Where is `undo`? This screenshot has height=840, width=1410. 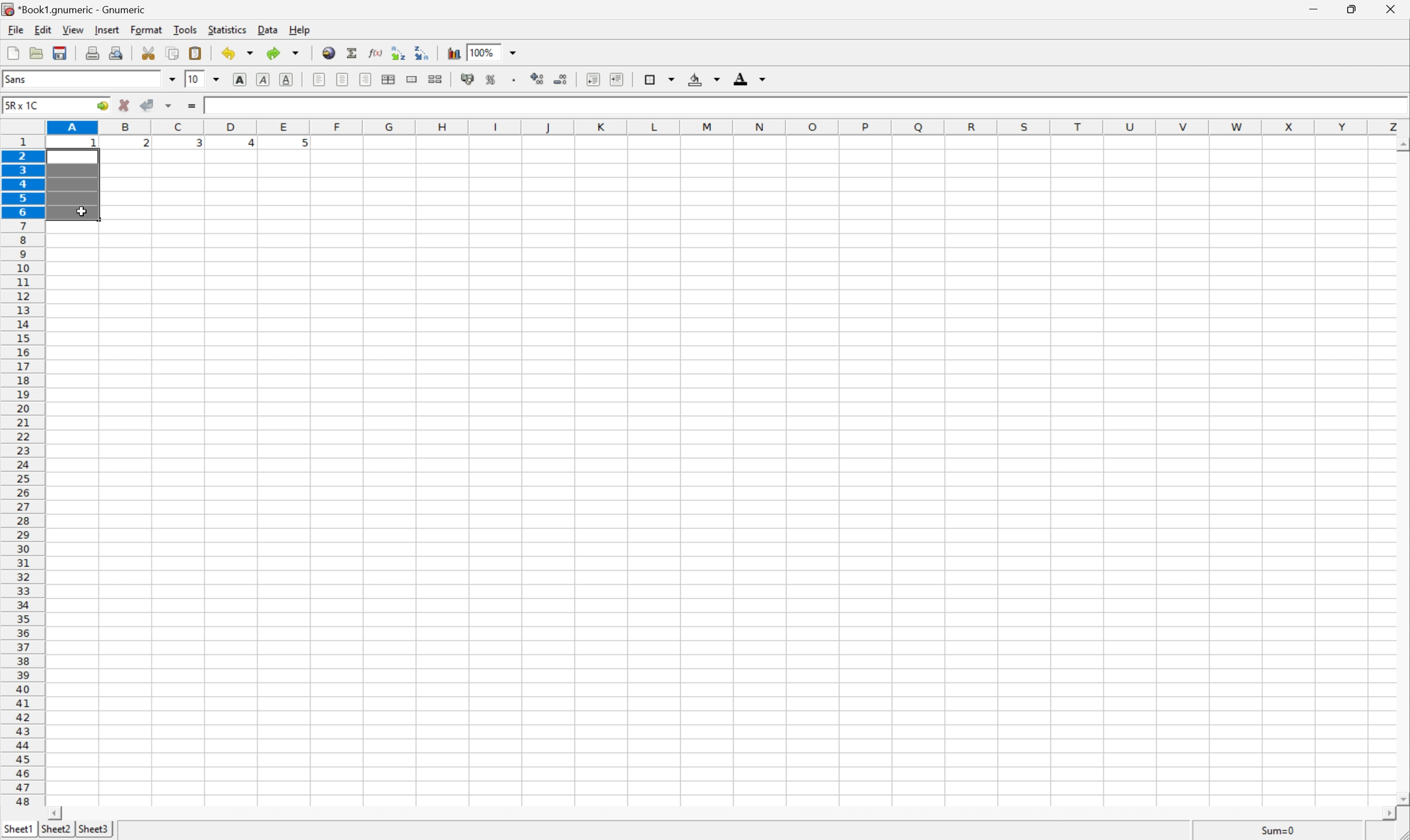 undo is located at coordinates (238, 52).